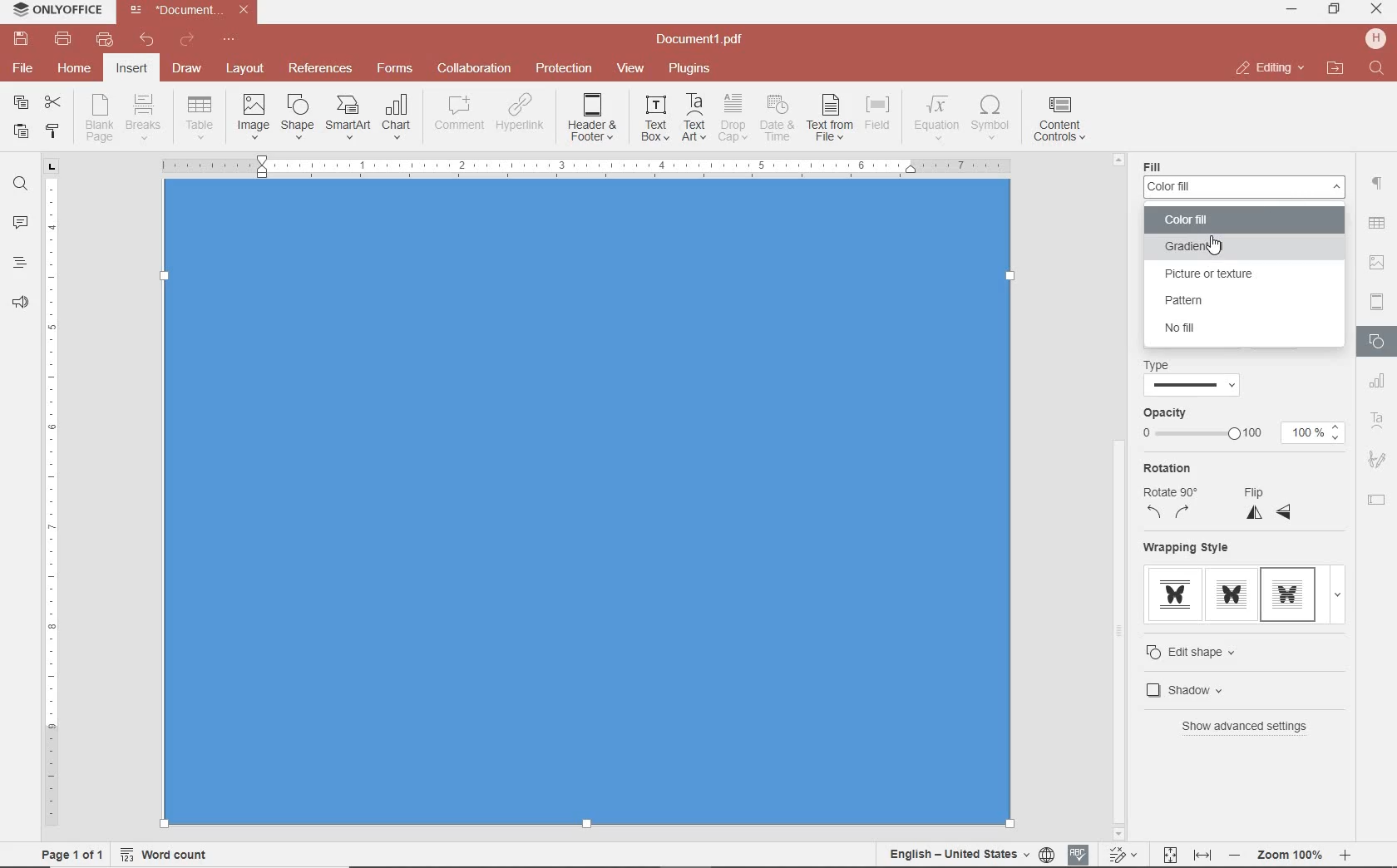 The image size is (1397, 868). What do you see at coordinates (143, 118) in the screenshot?
I see `INSERT PAGE OR SECTION BREAK` at bounding box center [143, 118].